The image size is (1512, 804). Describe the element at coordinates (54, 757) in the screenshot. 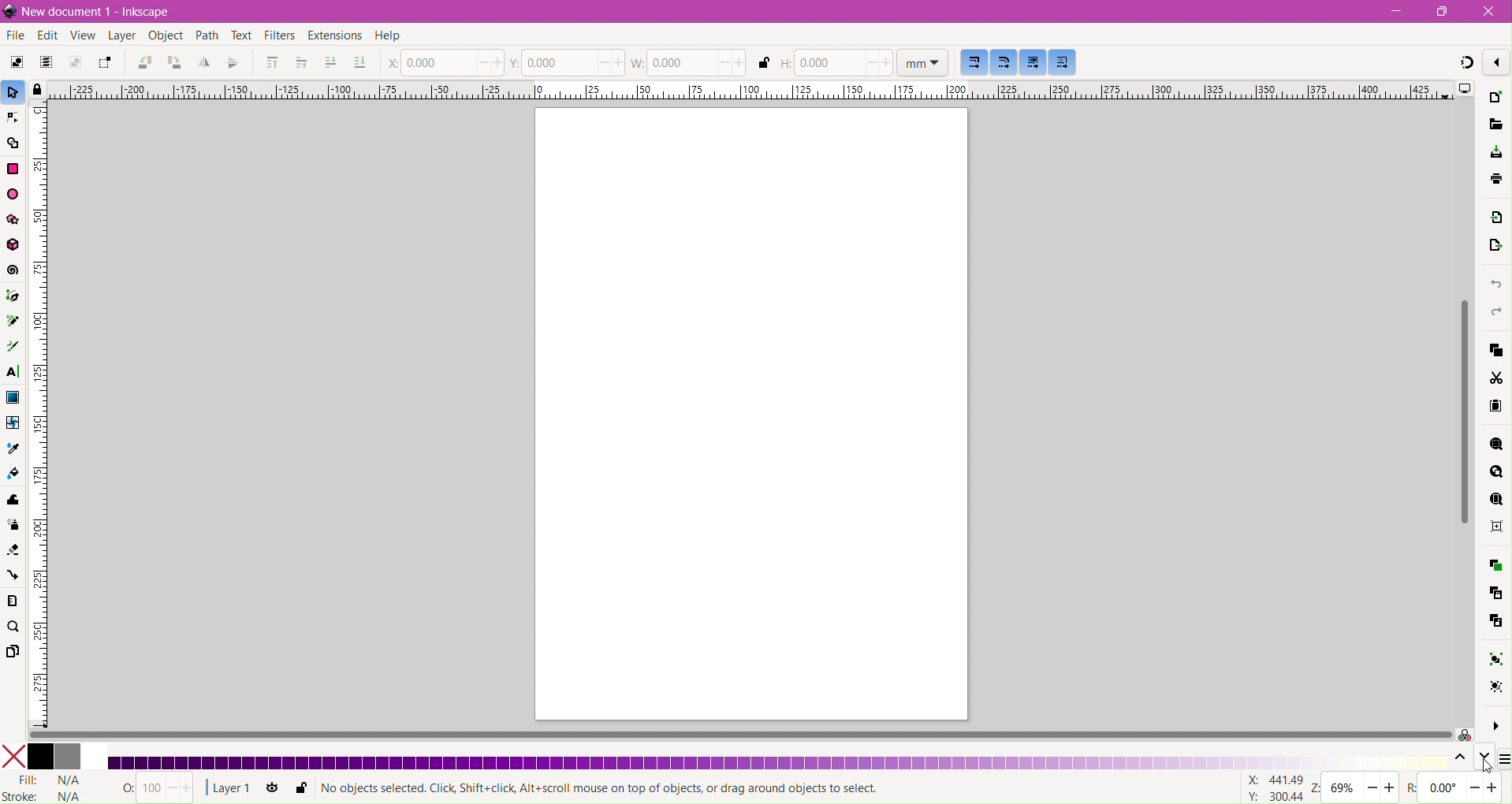

I see `Colors` at that location.